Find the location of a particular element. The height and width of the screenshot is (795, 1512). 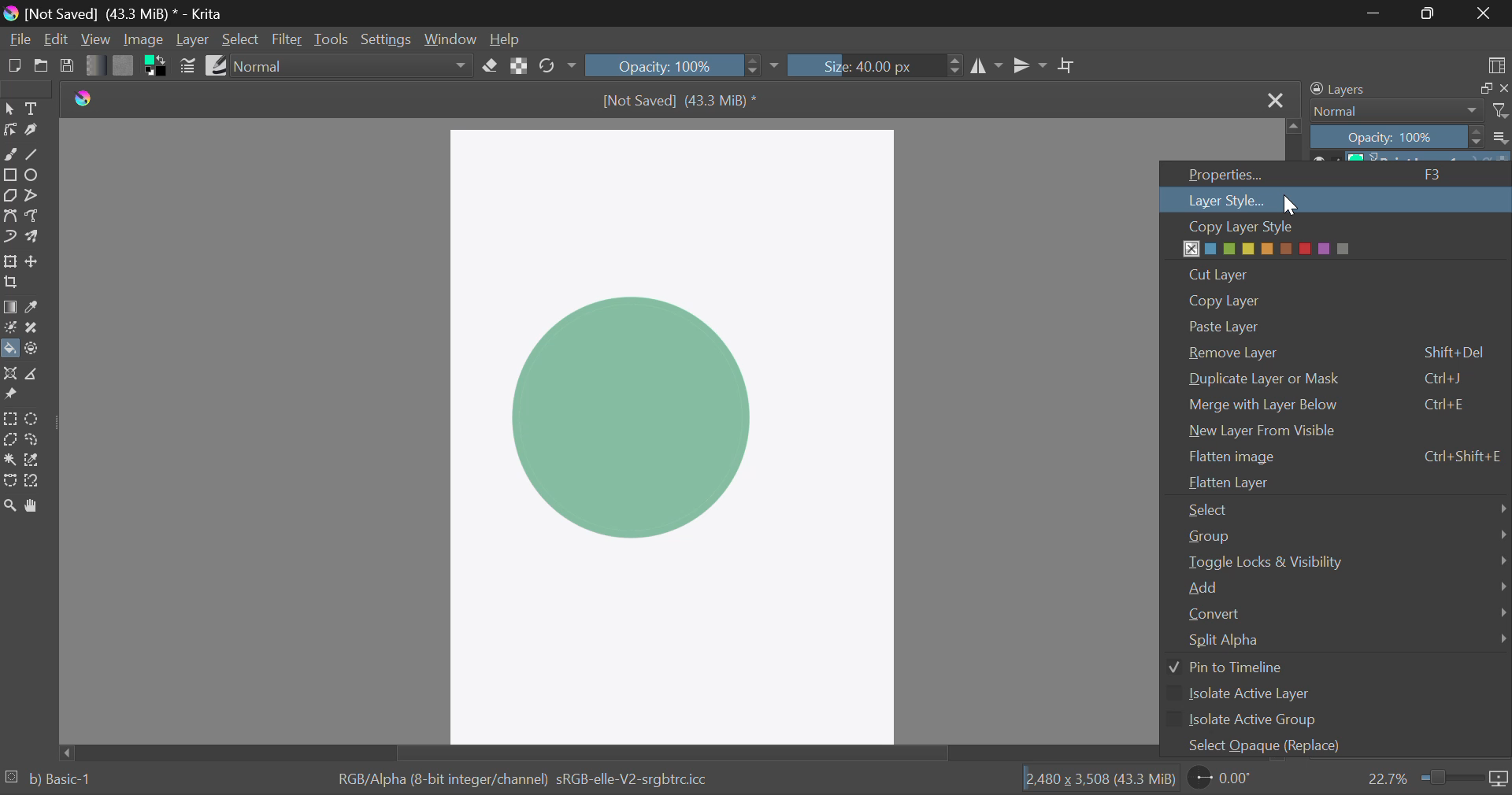

Polygon is located at coordinates (9, 194).